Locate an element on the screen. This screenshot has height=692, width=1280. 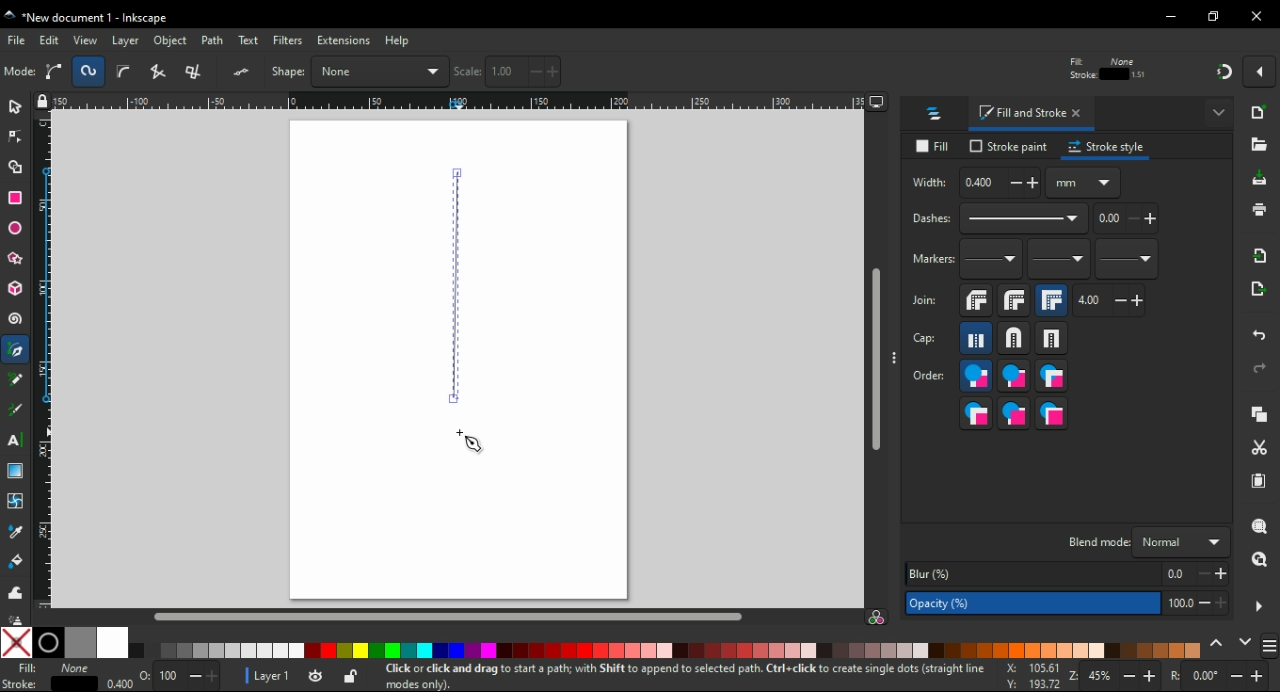
open export is located at coordinates (1256, 294).